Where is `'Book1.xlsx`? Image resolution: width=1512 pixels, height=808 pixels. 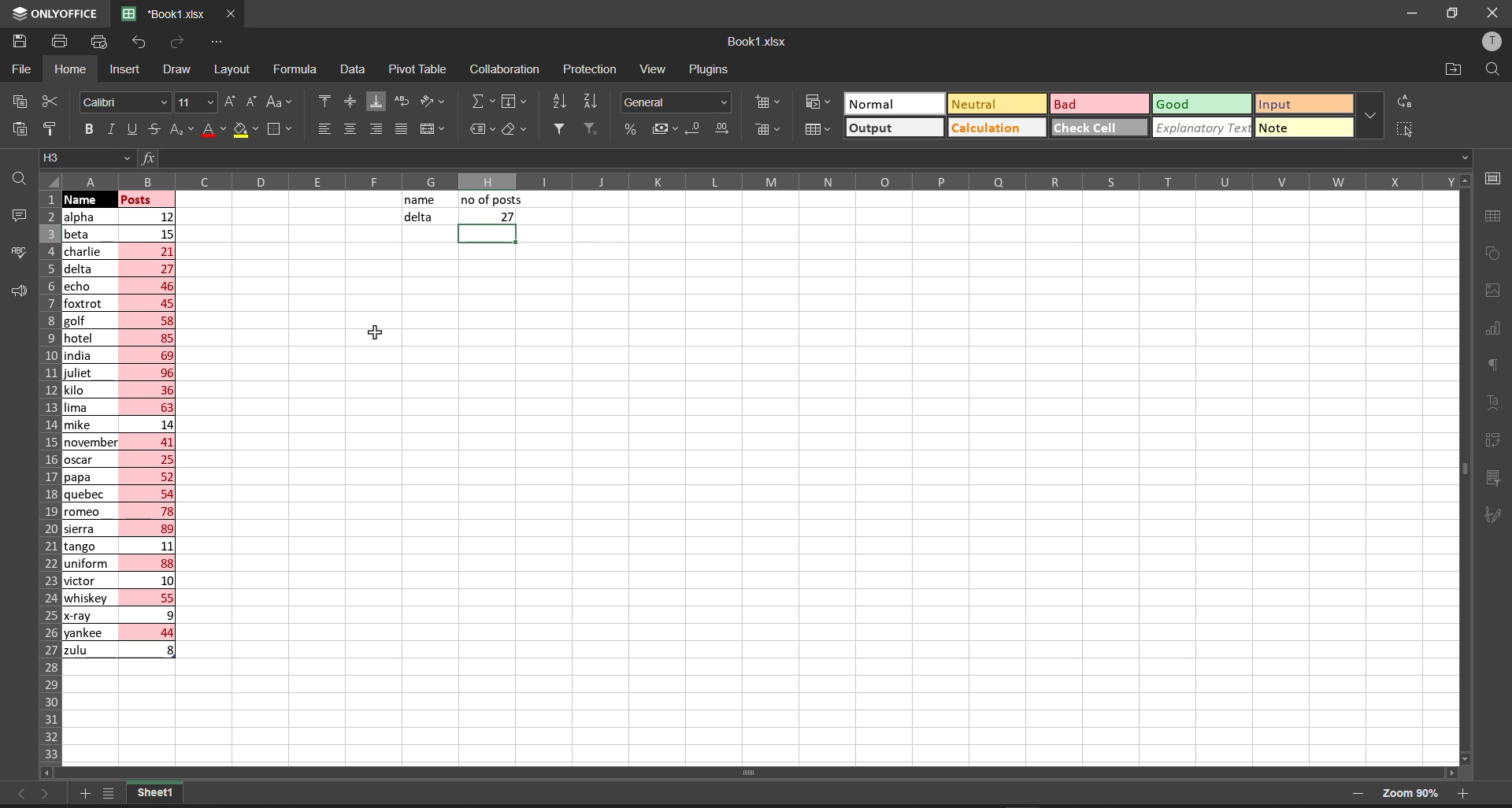
'Book1.xlsx is located at coordinates (160, 14).